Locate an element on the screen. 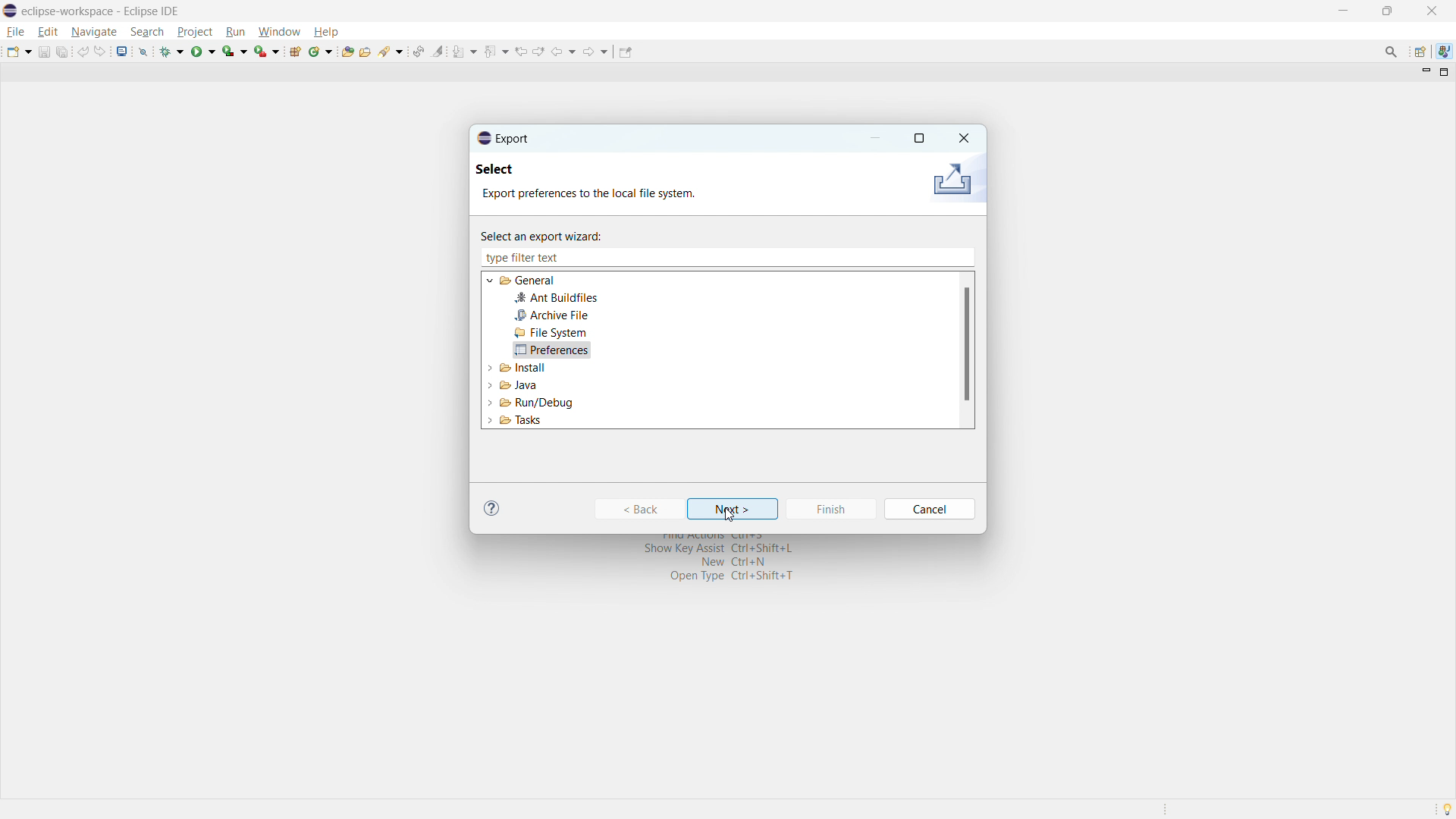  access commands and other items is located at coordinates (1392, 51).